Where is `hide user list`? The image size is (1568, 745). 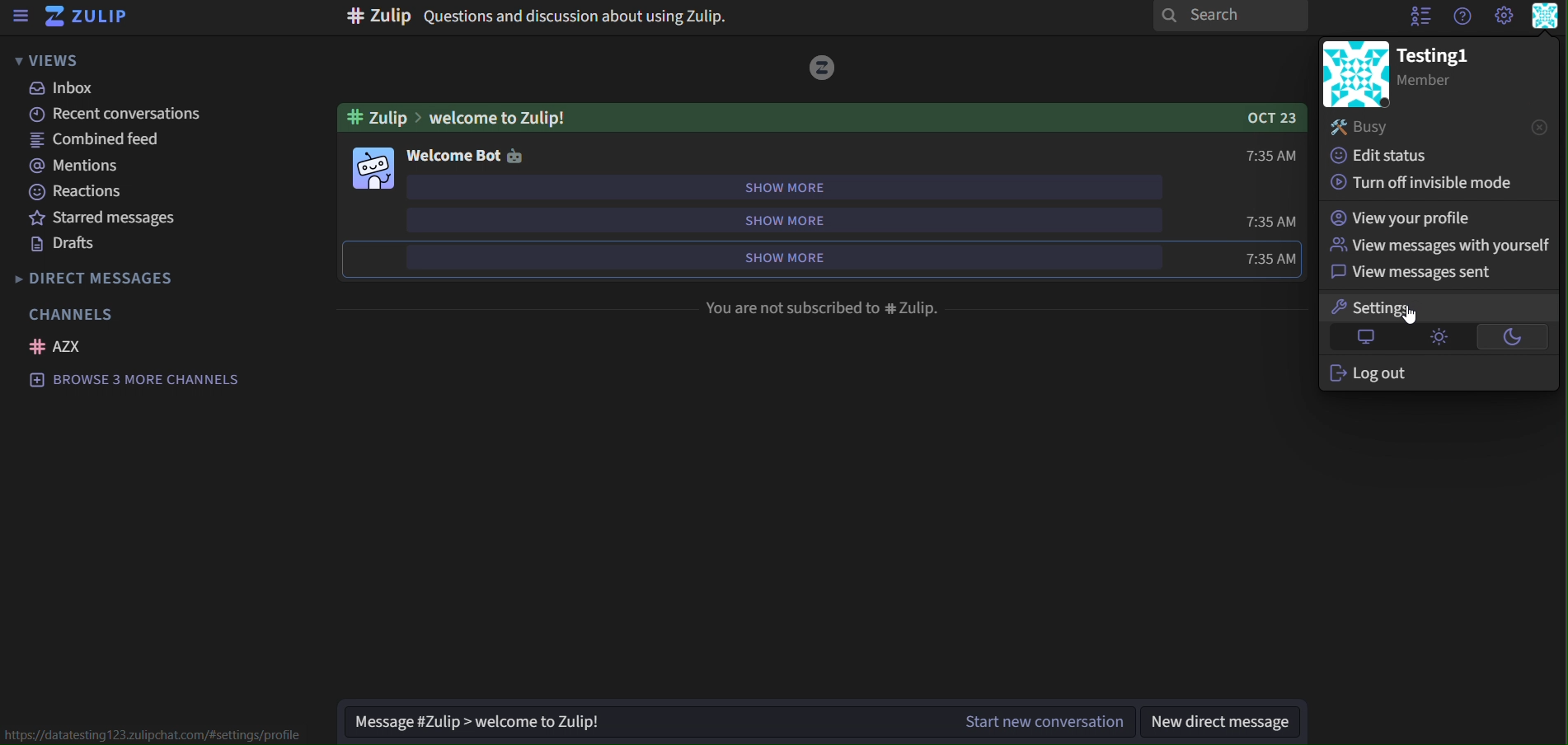
hide user list is located at coordinates (1415, 17).